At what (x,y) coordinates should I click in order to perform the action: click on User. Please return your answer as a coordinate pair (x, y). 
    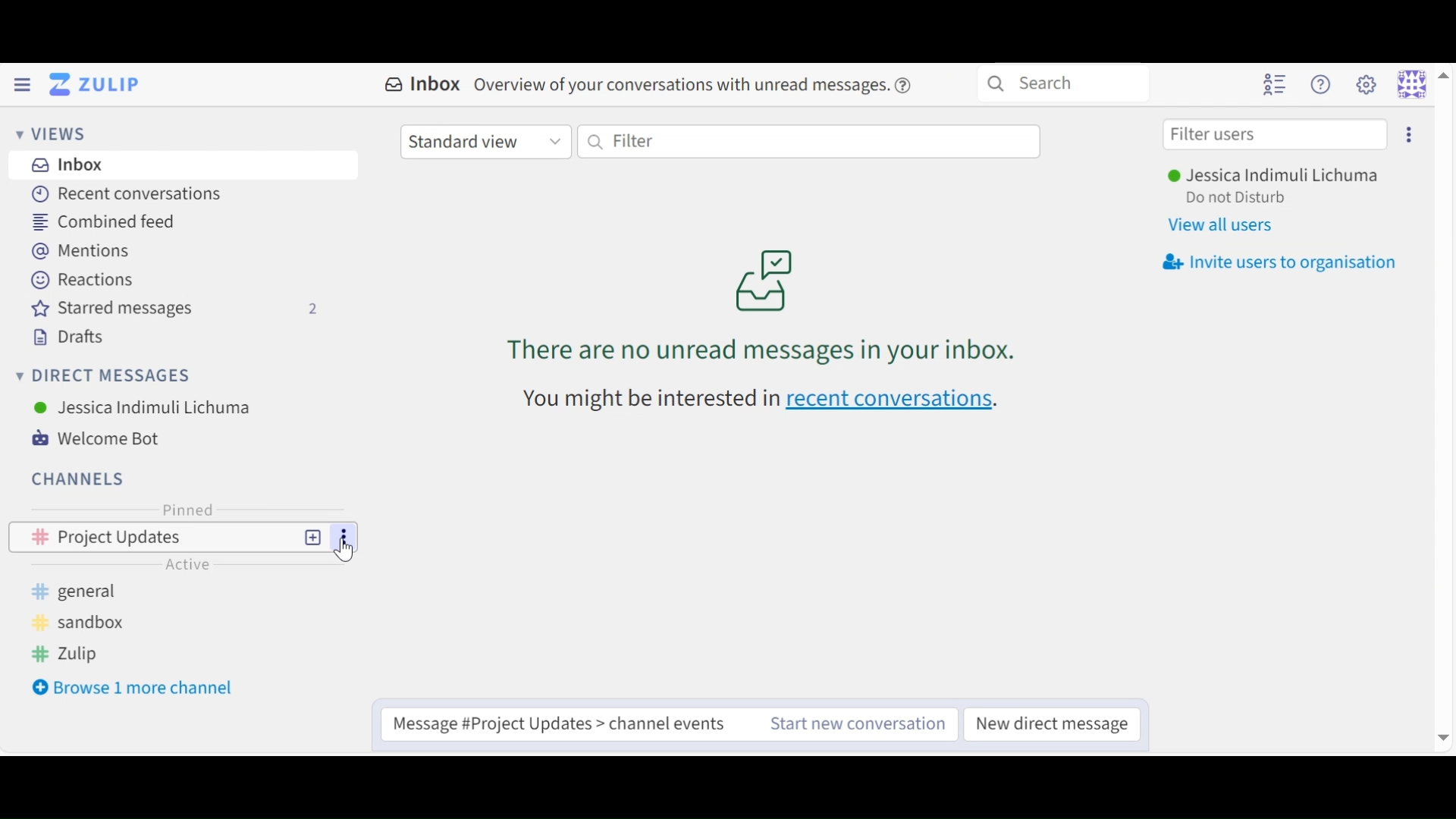
    Looking at the image, I should click on (1272, 176).